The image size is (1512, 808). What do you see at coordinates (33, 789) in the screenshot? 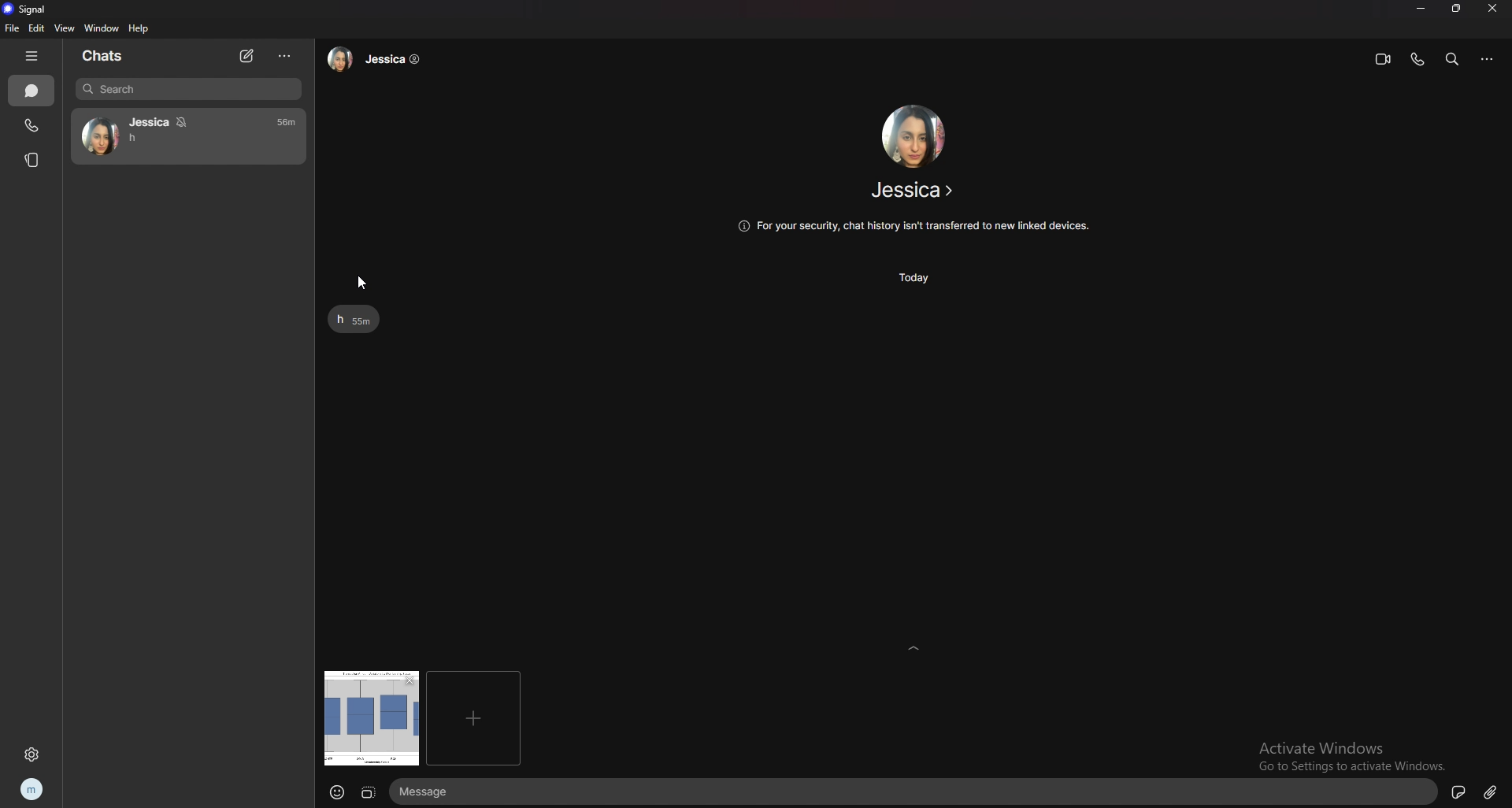
I see `profile` at bounding box center [33, 789].